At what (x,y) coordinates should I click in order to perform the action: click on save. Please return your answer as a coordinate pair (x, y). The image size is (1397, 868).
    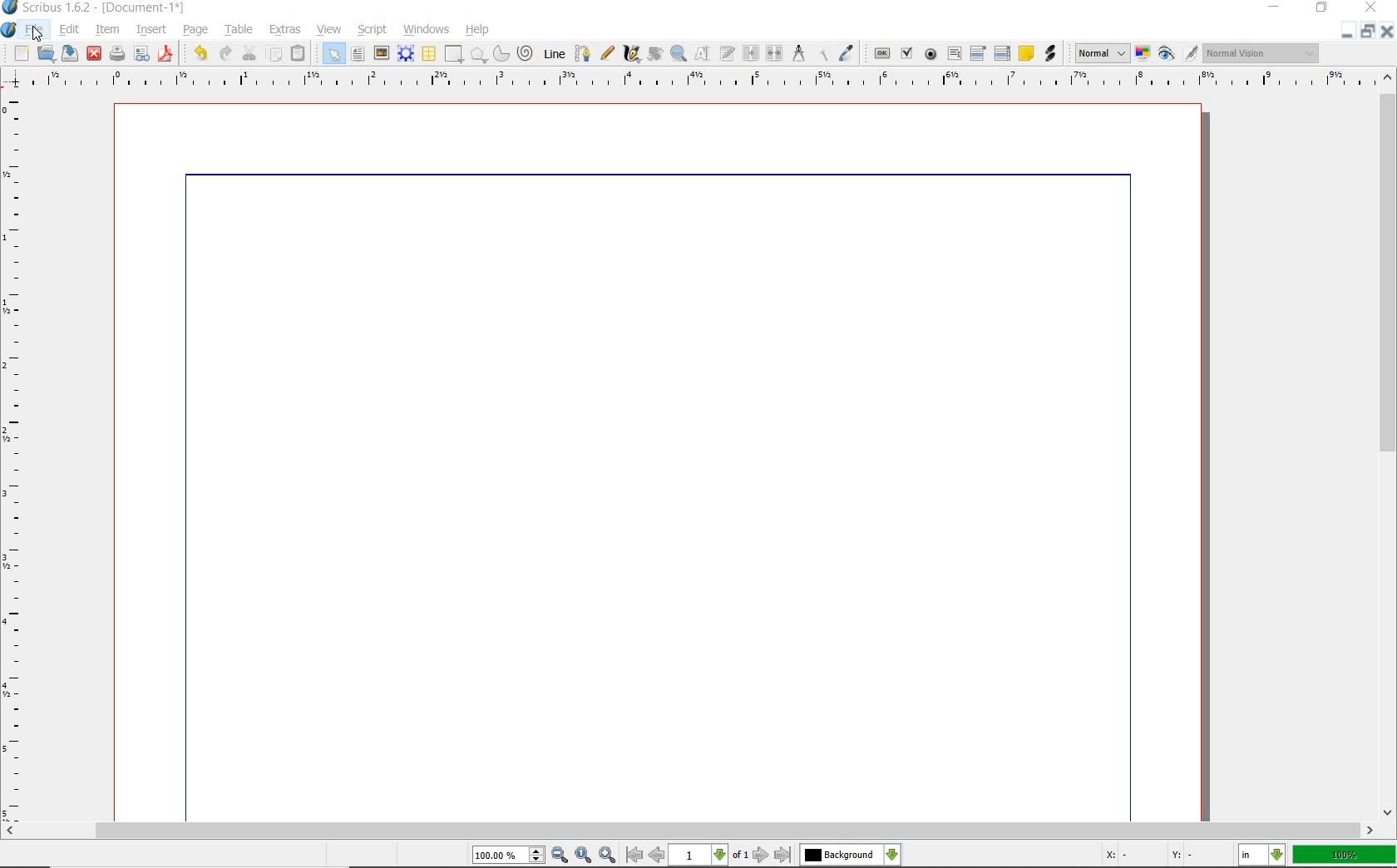
    Looking at the image, I should click on (72, 53).